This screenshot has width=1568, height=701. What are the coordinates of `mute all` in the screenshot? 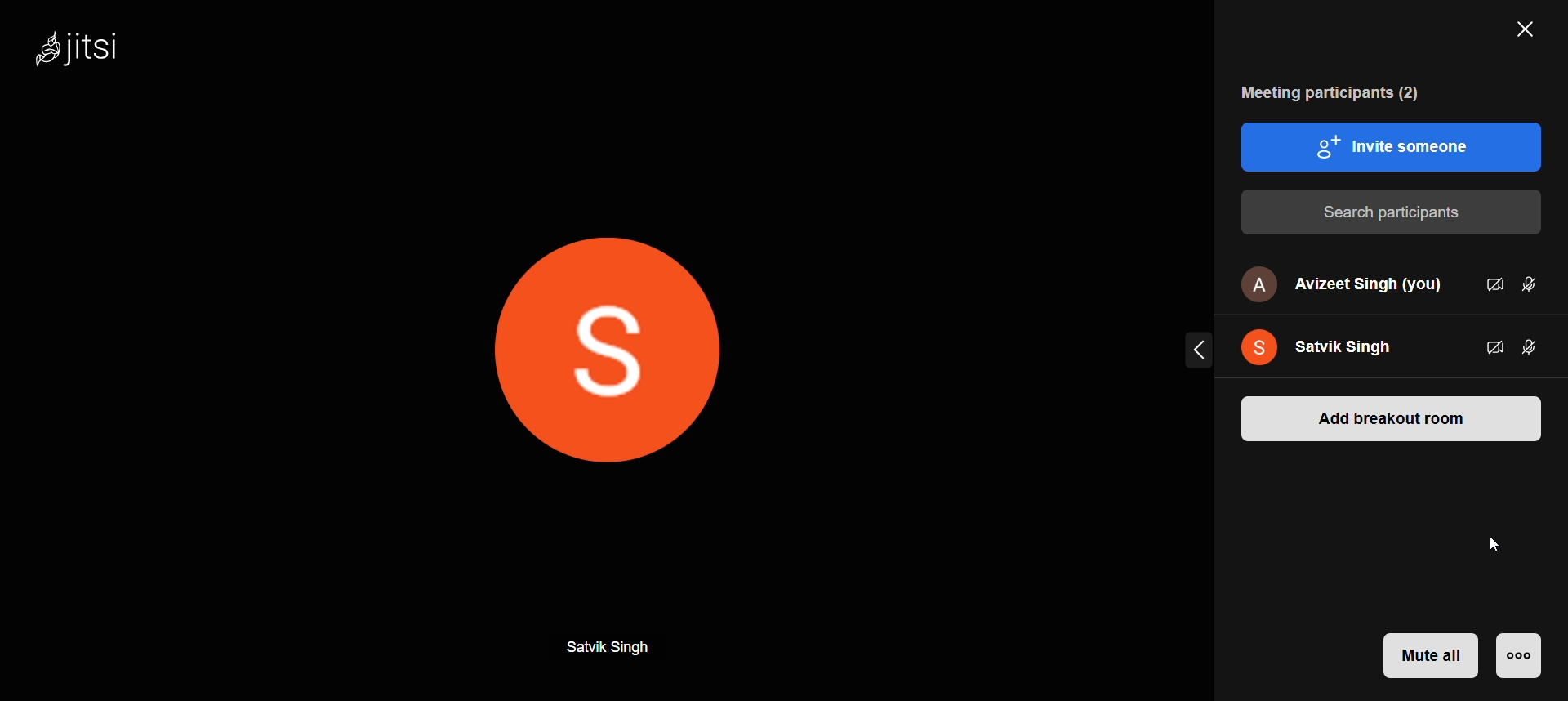 It's located at (1432, 655).